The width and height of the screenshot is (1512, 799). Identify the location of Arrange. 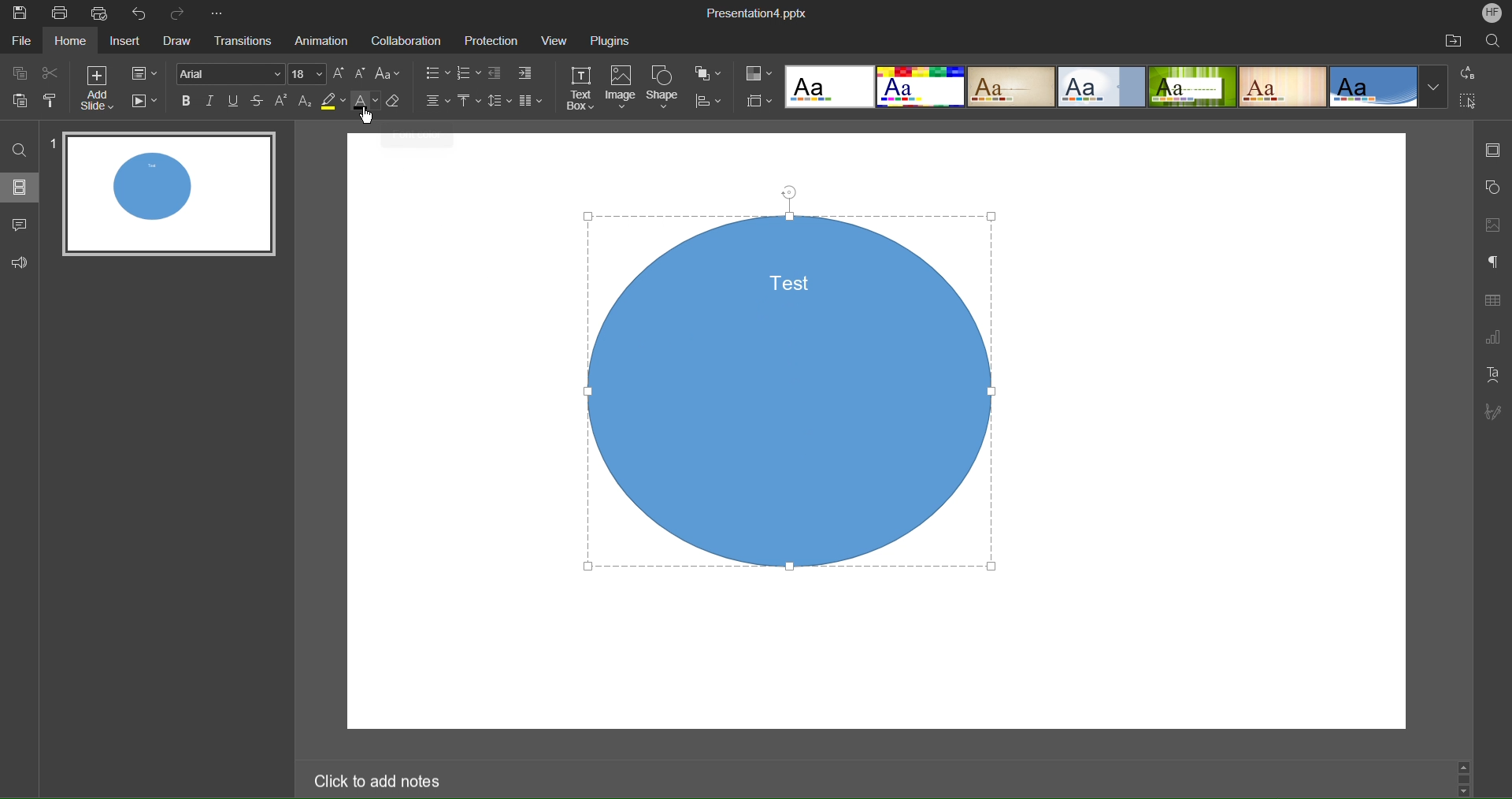
(707, 72).